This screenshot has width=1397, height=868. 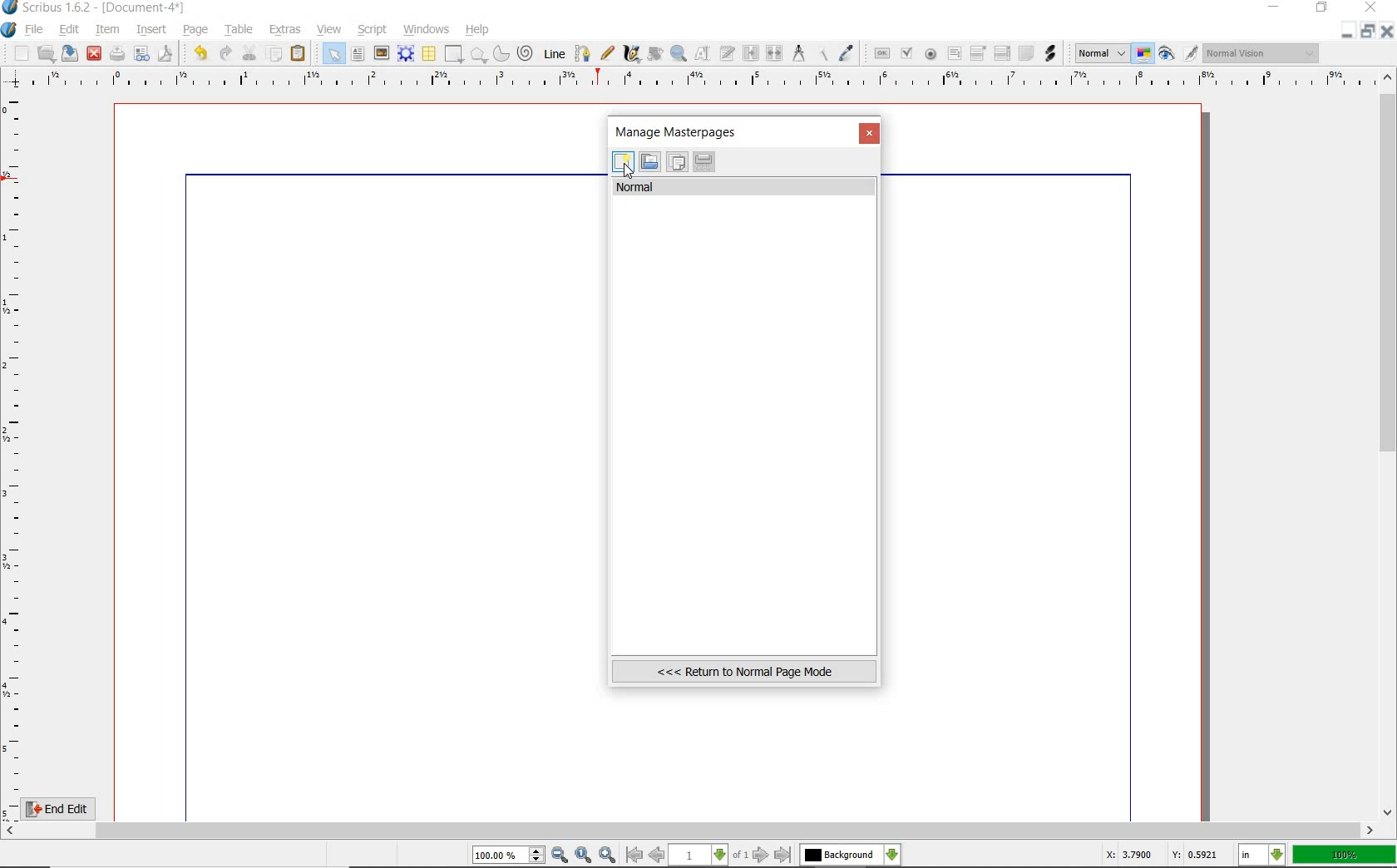 What do you see at coordinates (35, 30) in the screenshot?
I see `file` at bounding box center [35, 30].